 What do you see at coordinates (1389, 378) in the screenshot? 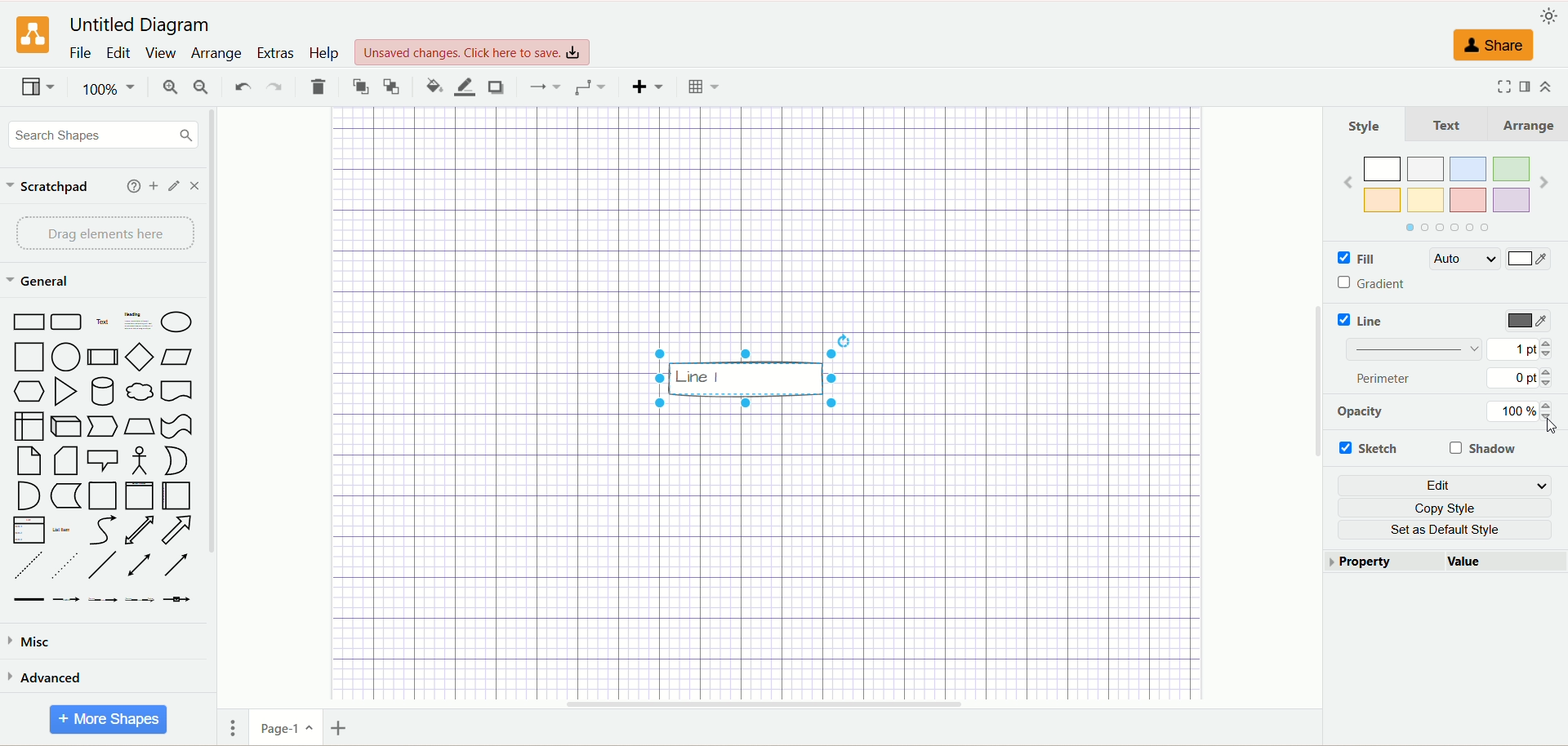
I see `perimeter` at bounding box center [1389, 378].